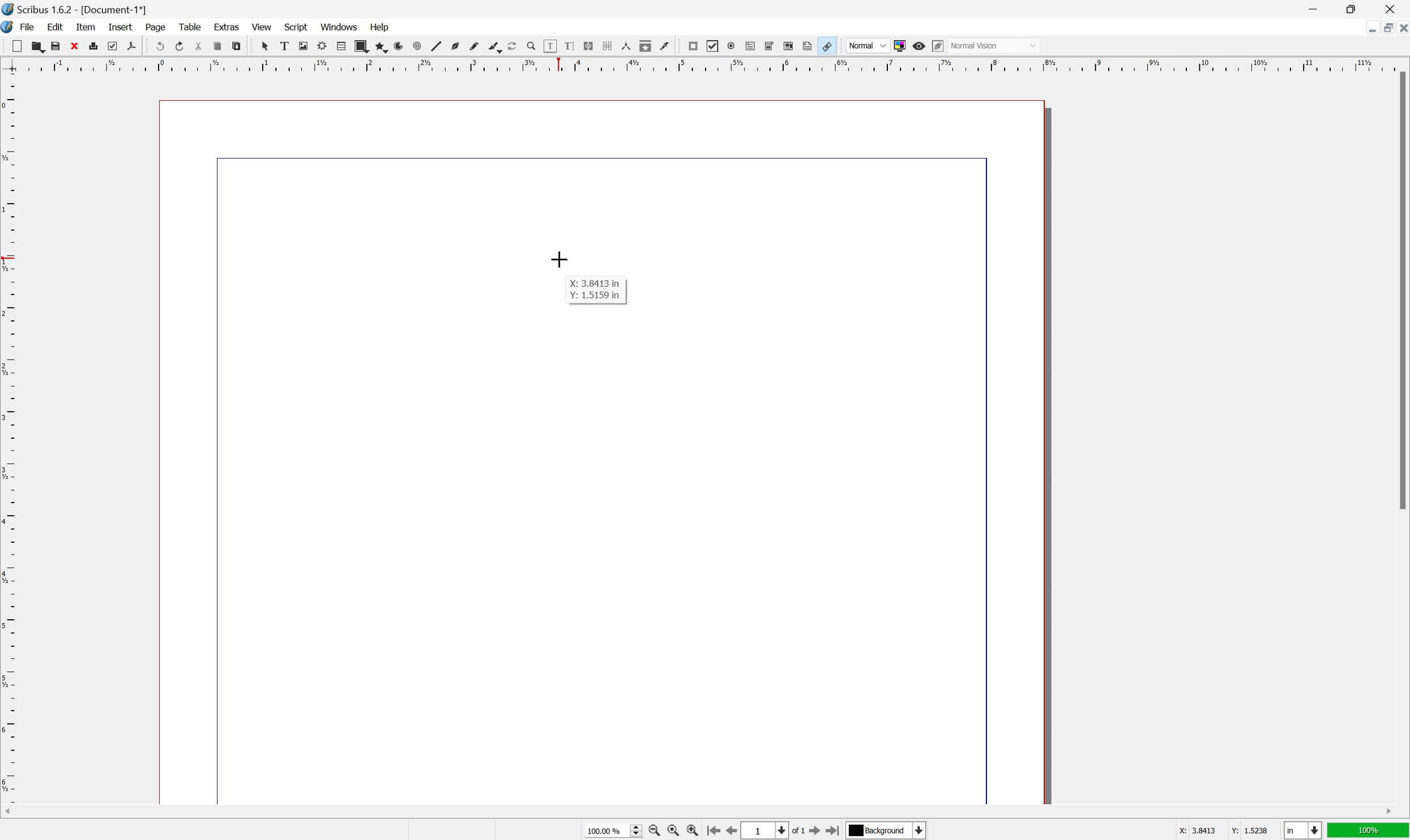  I want to click on extras, so click(227, 26).